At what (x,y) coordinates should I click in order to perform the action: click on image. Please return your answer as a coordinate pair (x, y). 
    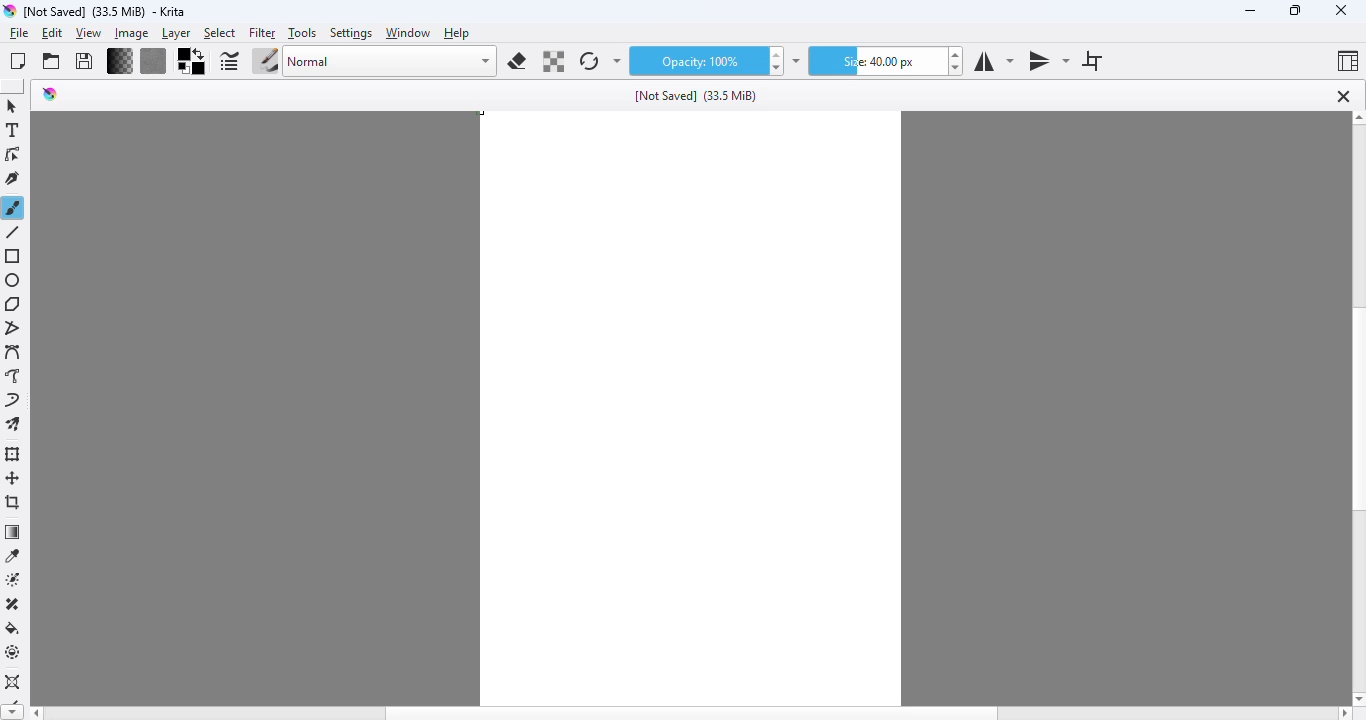
    Looking at the image, I should click on (132, 33).